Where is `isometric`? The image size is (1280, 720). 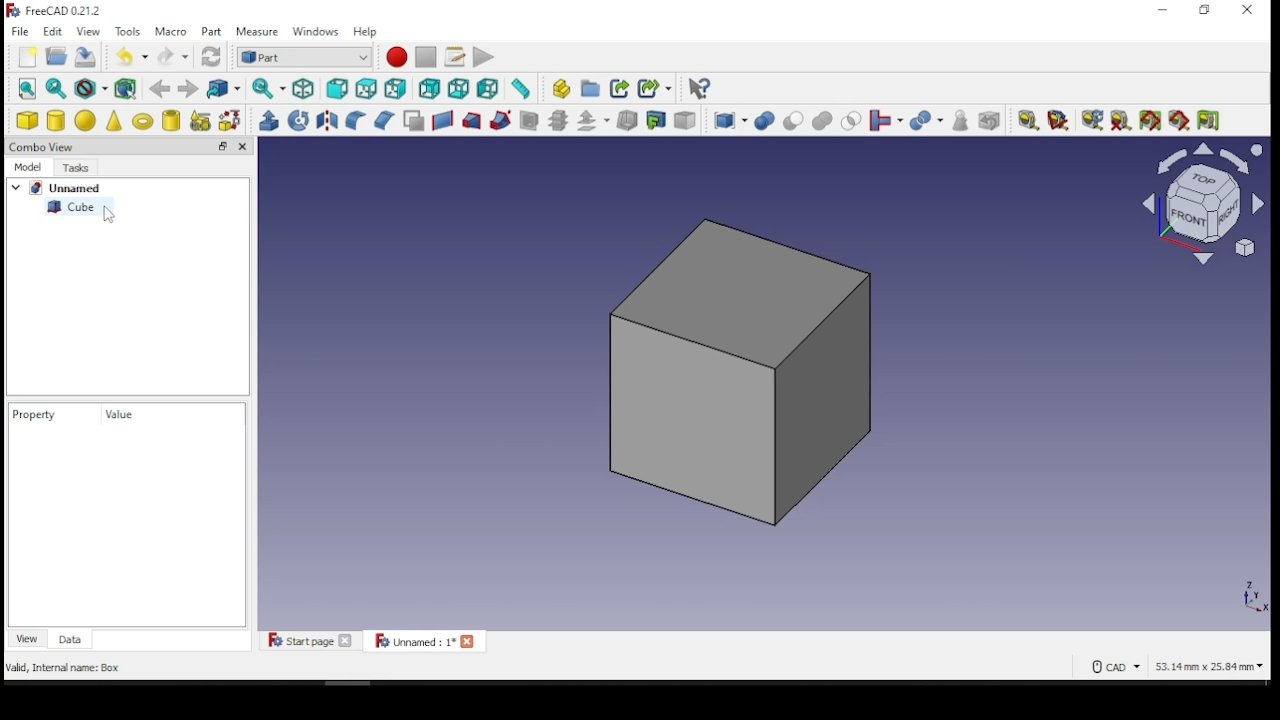 isometric is located at coordinates (304, 90).